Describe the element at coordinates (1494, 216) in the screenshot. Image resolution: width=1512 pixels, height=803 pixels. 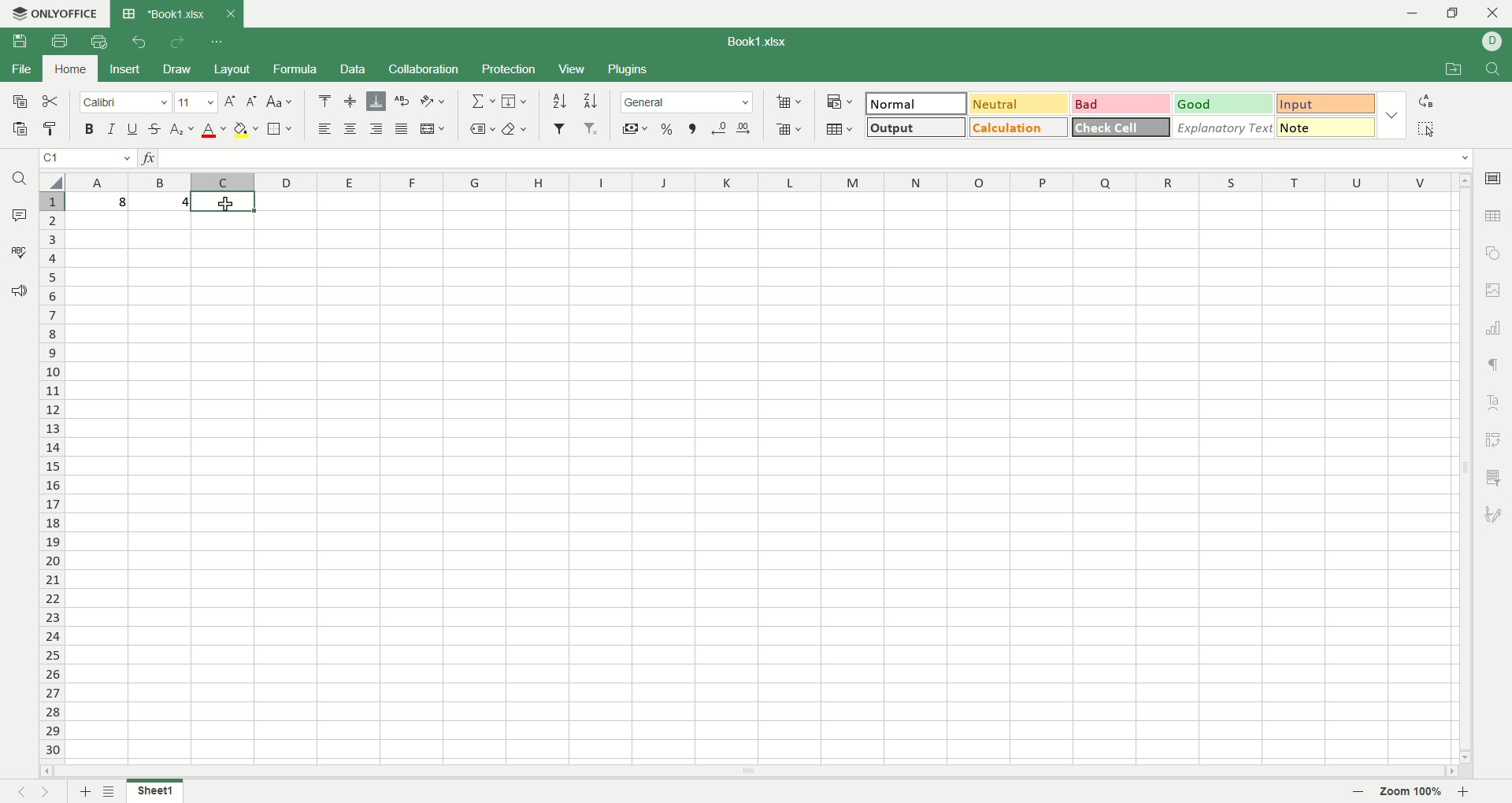
I see `table settings` at that location.